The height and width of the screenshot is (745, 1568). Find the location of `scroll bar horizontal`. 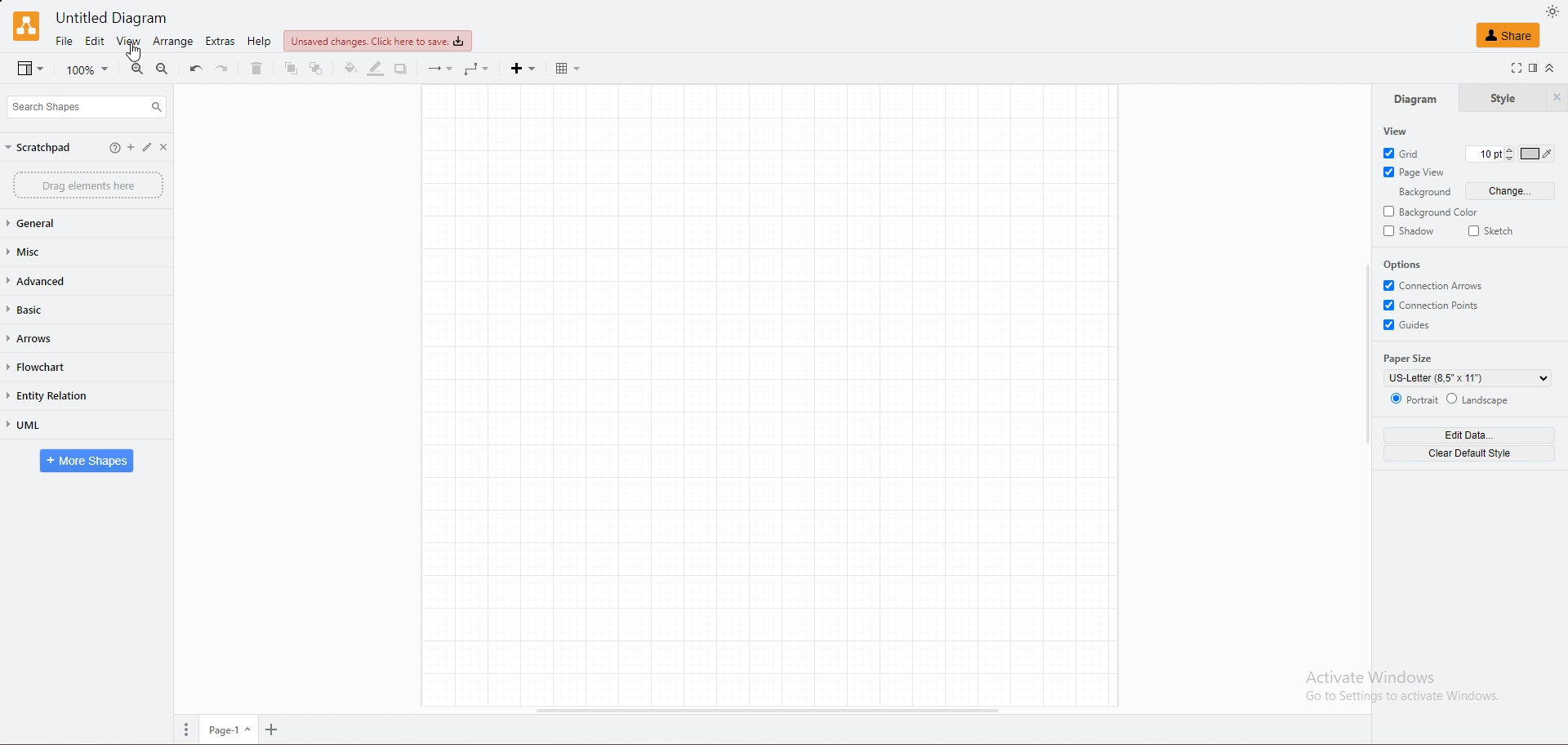

scroll bar horizontal is located at coordinates (768, 710).